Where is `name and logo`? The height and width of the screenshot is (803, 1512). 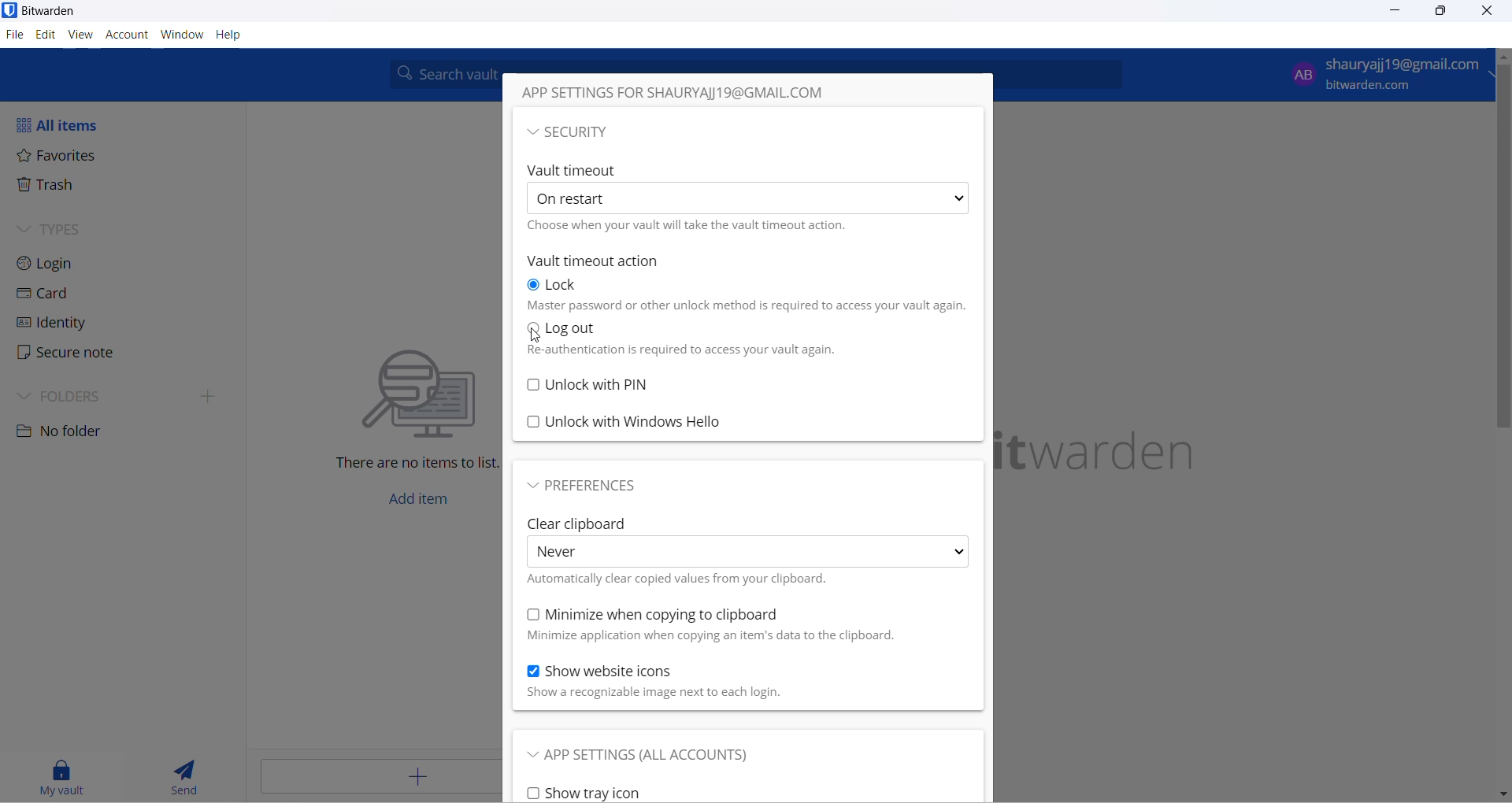 name and logo is located at coordinates (1121, 448).